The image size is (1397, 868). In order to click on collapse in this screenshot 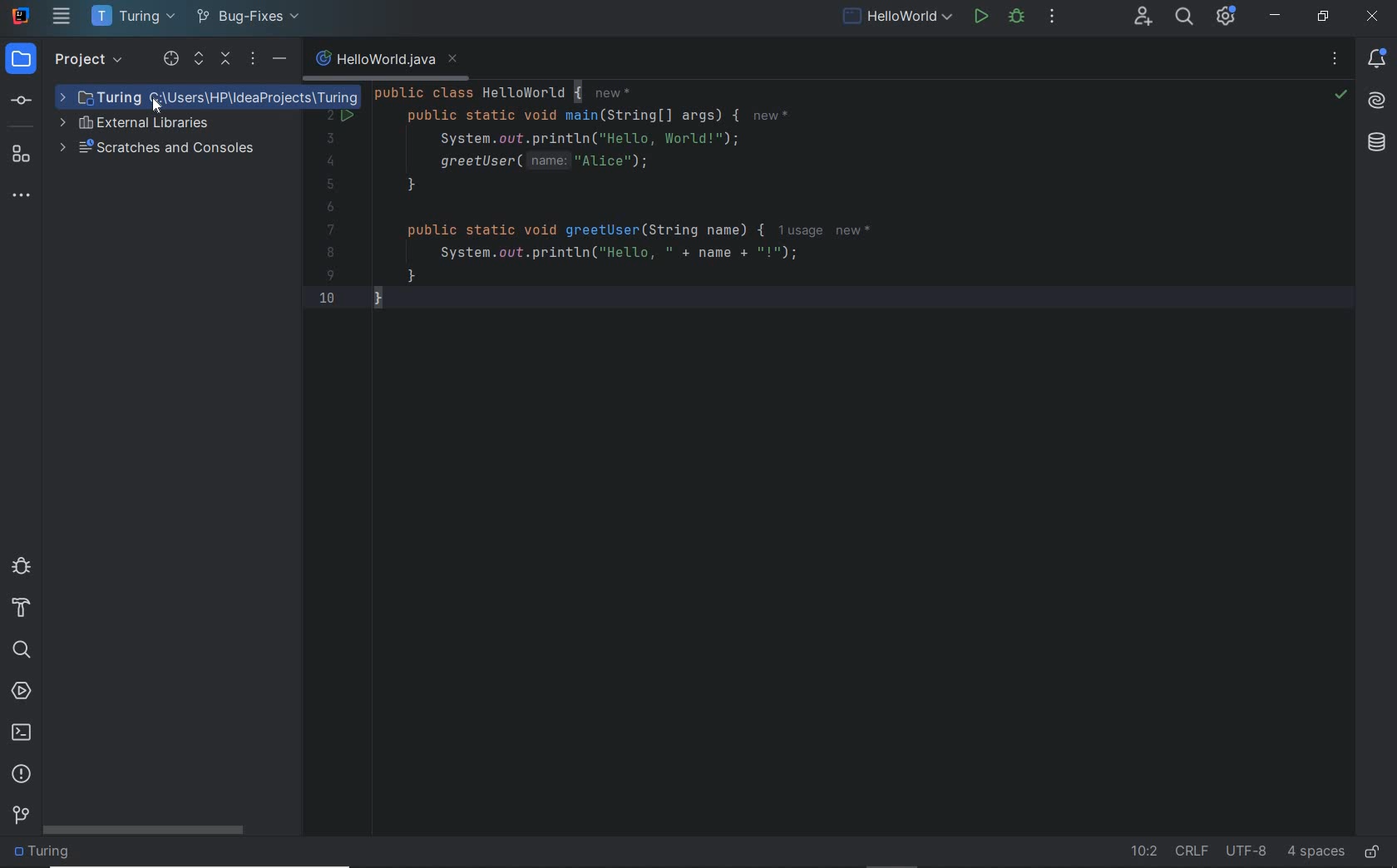, I will do `click(227, 61)`.